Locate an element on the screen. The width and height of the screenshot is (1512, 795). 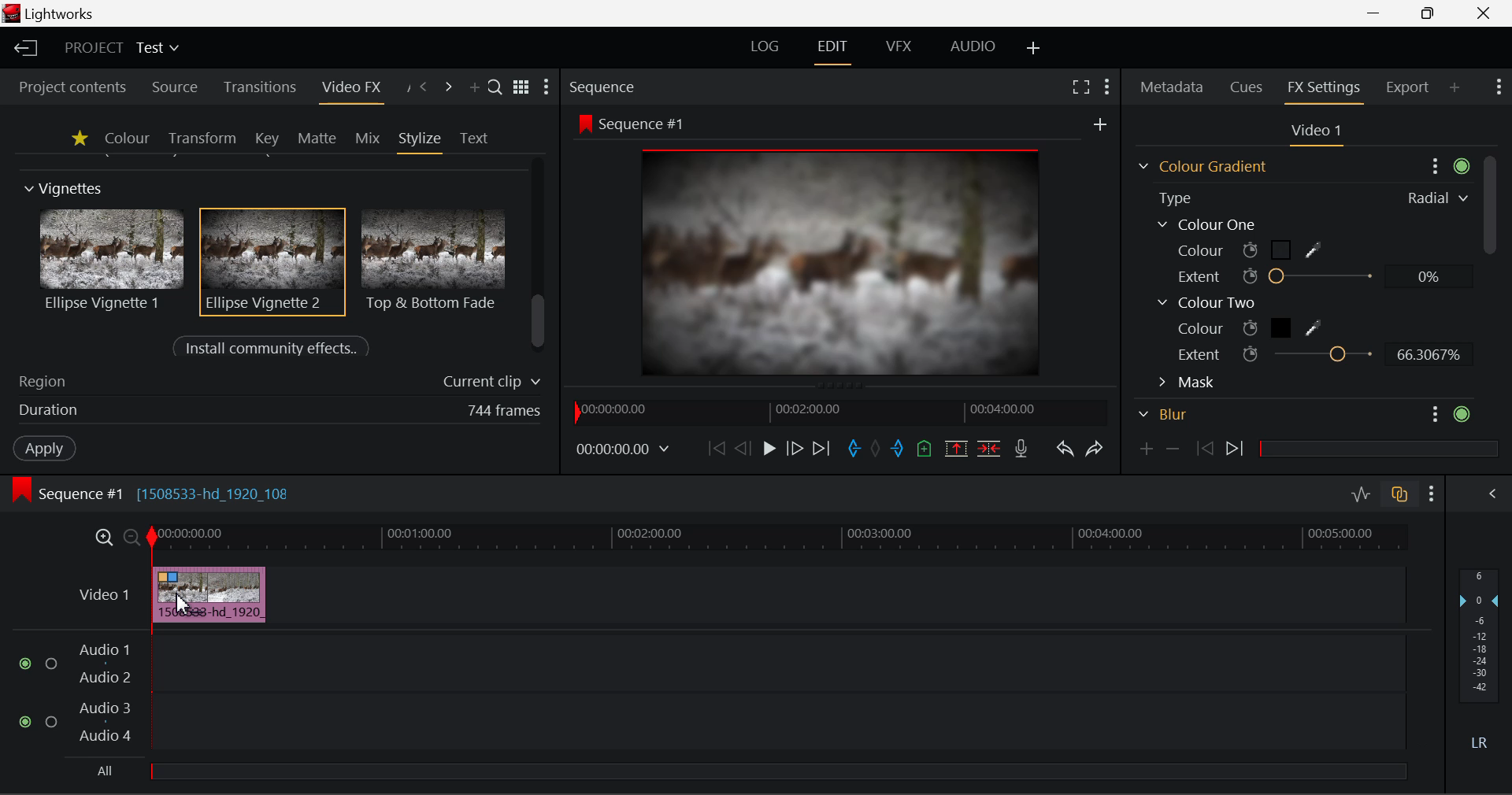
Play is located at coordinates (767, 449).